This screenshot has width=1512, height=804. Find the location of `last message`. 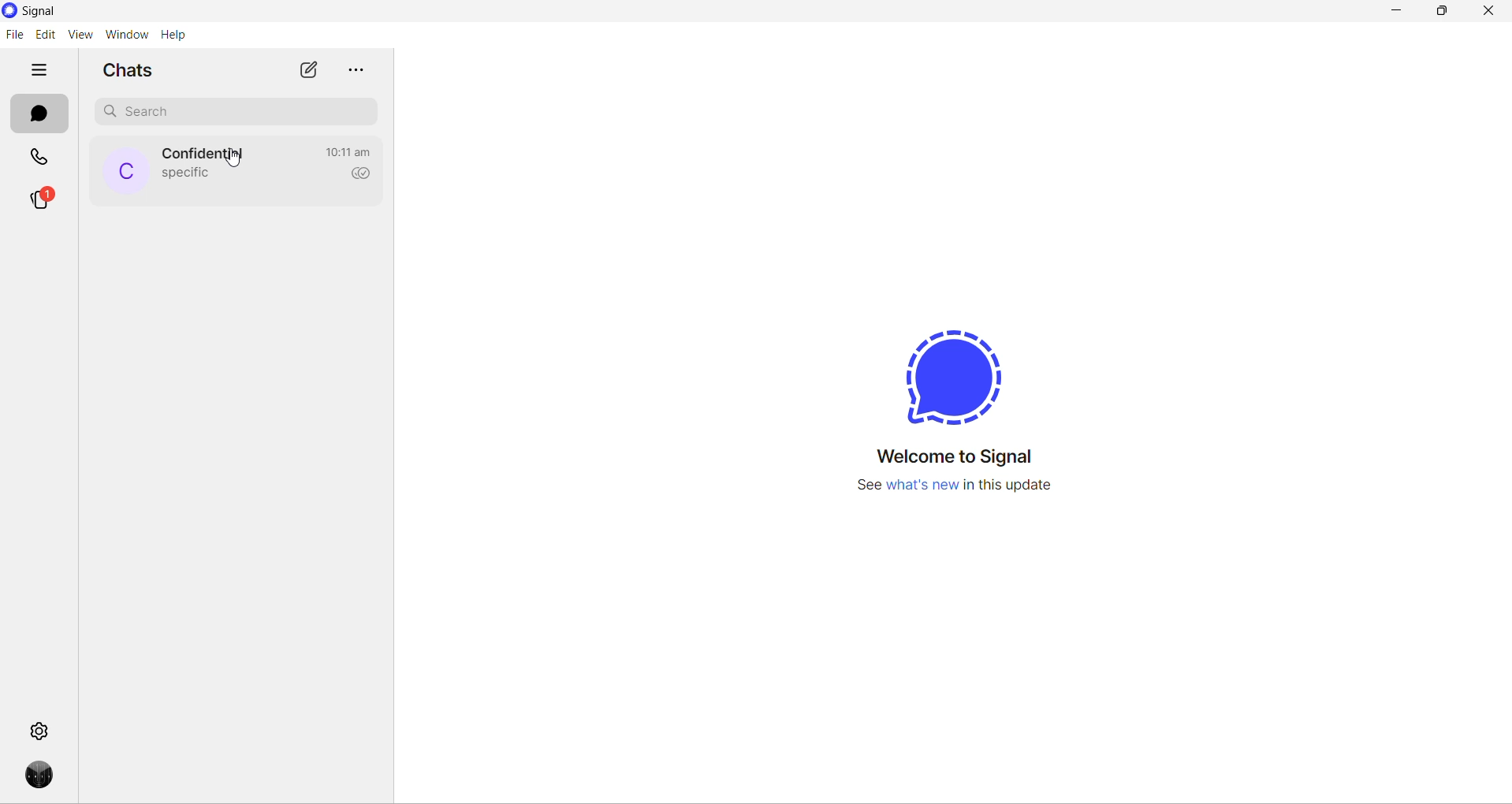

last message is located at coordinates (187, 176).